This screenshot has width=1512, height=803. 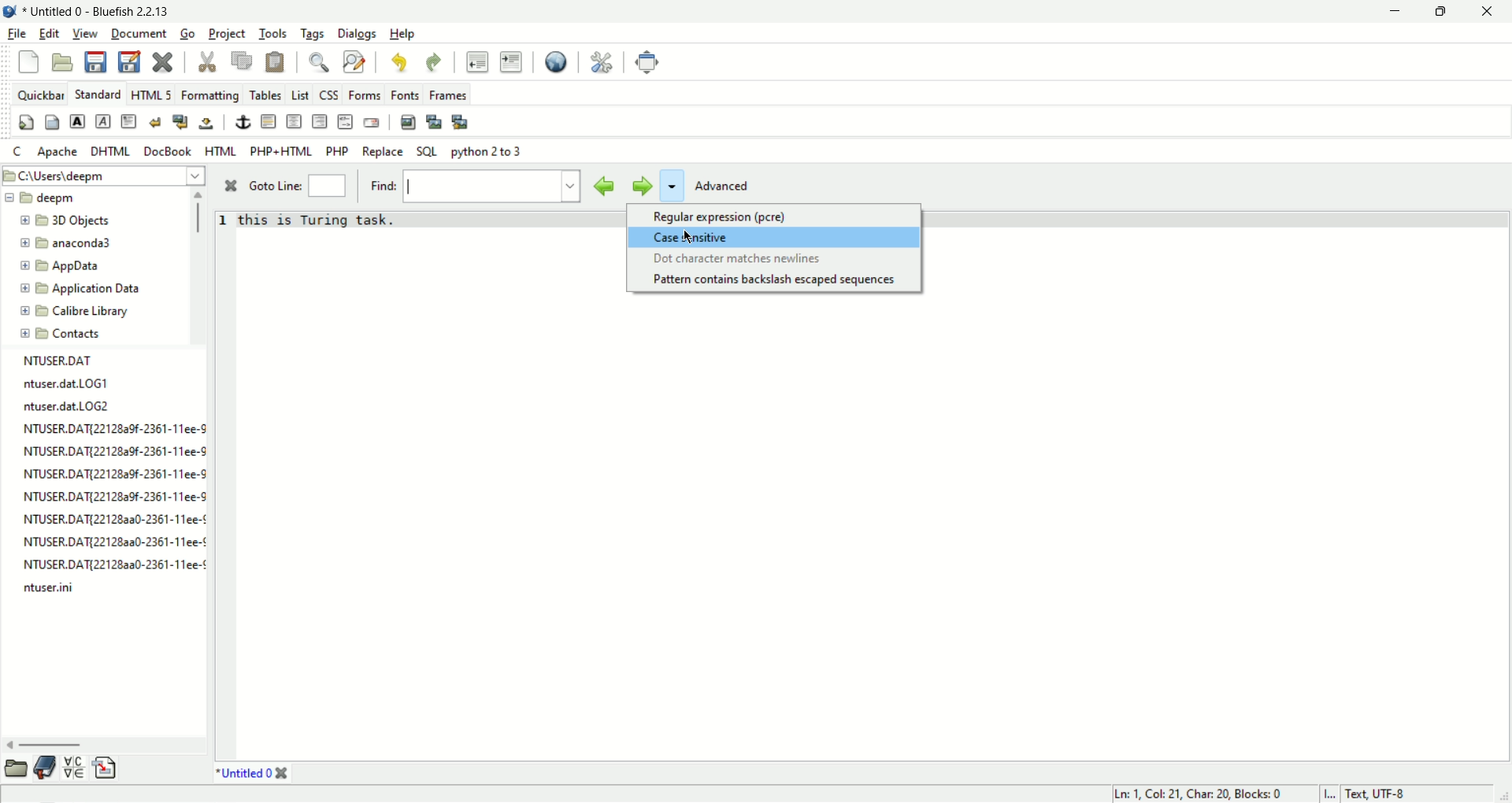 I want to click on find previous, so click(x=605, y=187).